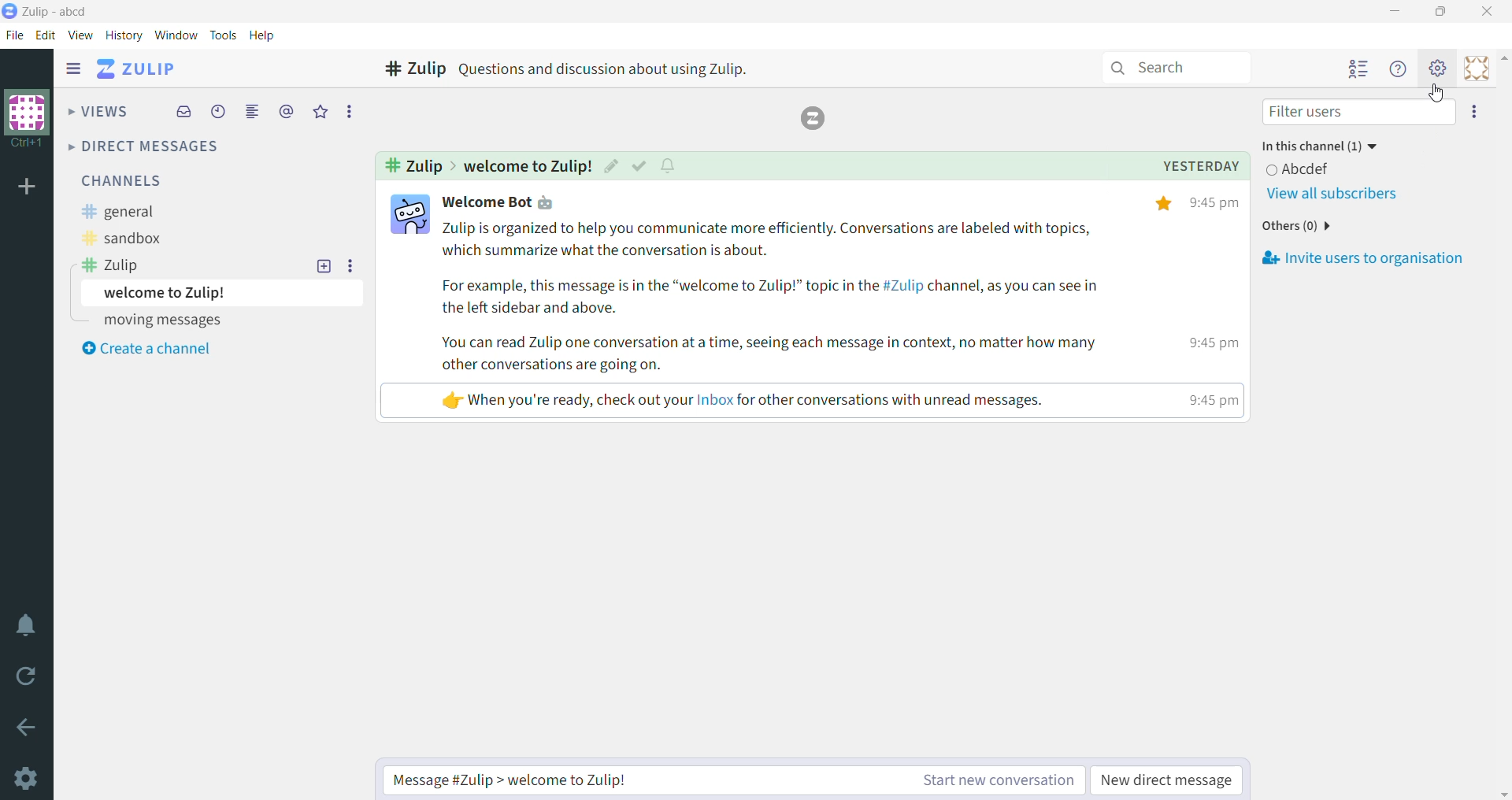  I want to click on Go back, so click(27, 728).